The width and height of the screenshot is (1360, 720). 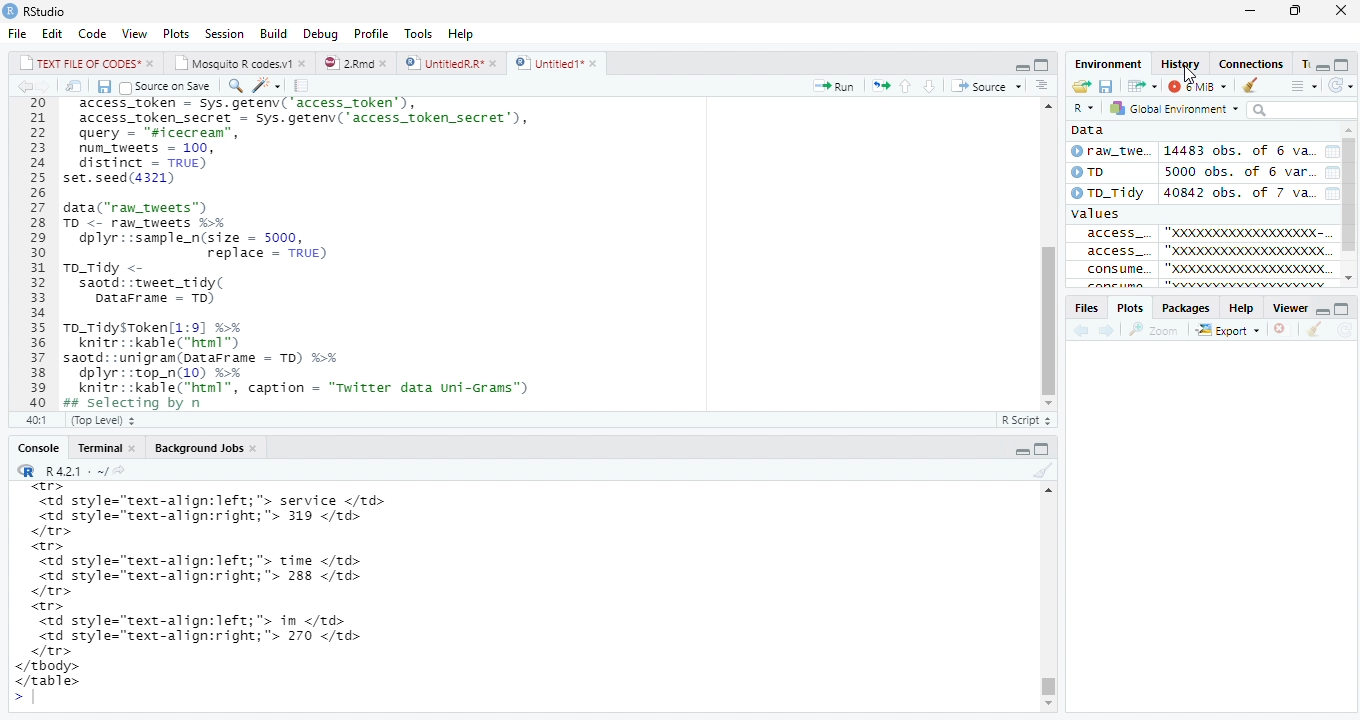 What do you see at coordinates (1351, 203) in the screenshot?
I see `scrollbar` at bounding box center [1351, 203].